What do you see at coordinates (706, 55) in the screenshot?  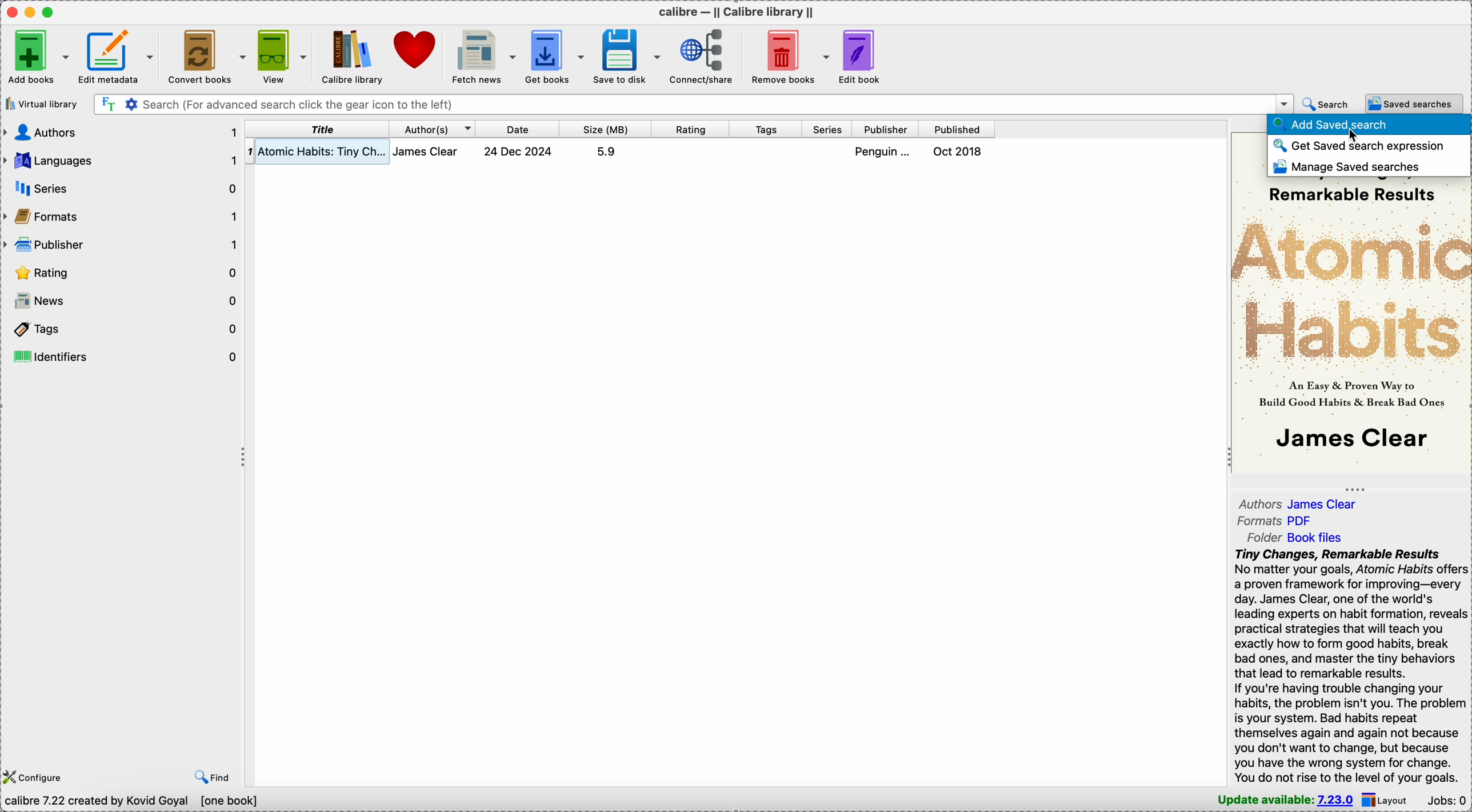 I see `connect/share` at bounding box center [706, 55].